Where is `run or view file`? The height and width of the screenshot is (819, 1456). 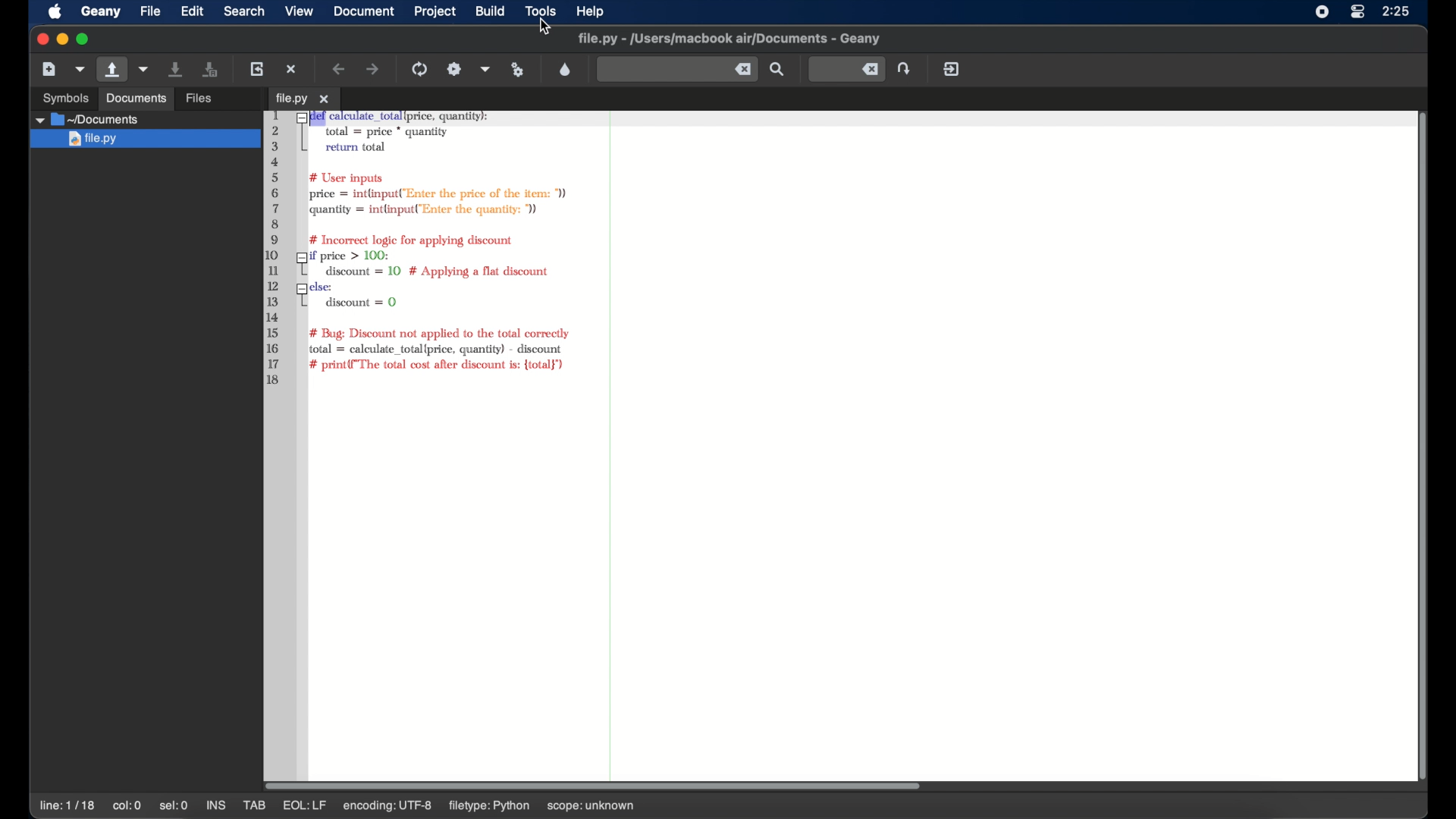 run or view file is located at coordinates (517, 71).